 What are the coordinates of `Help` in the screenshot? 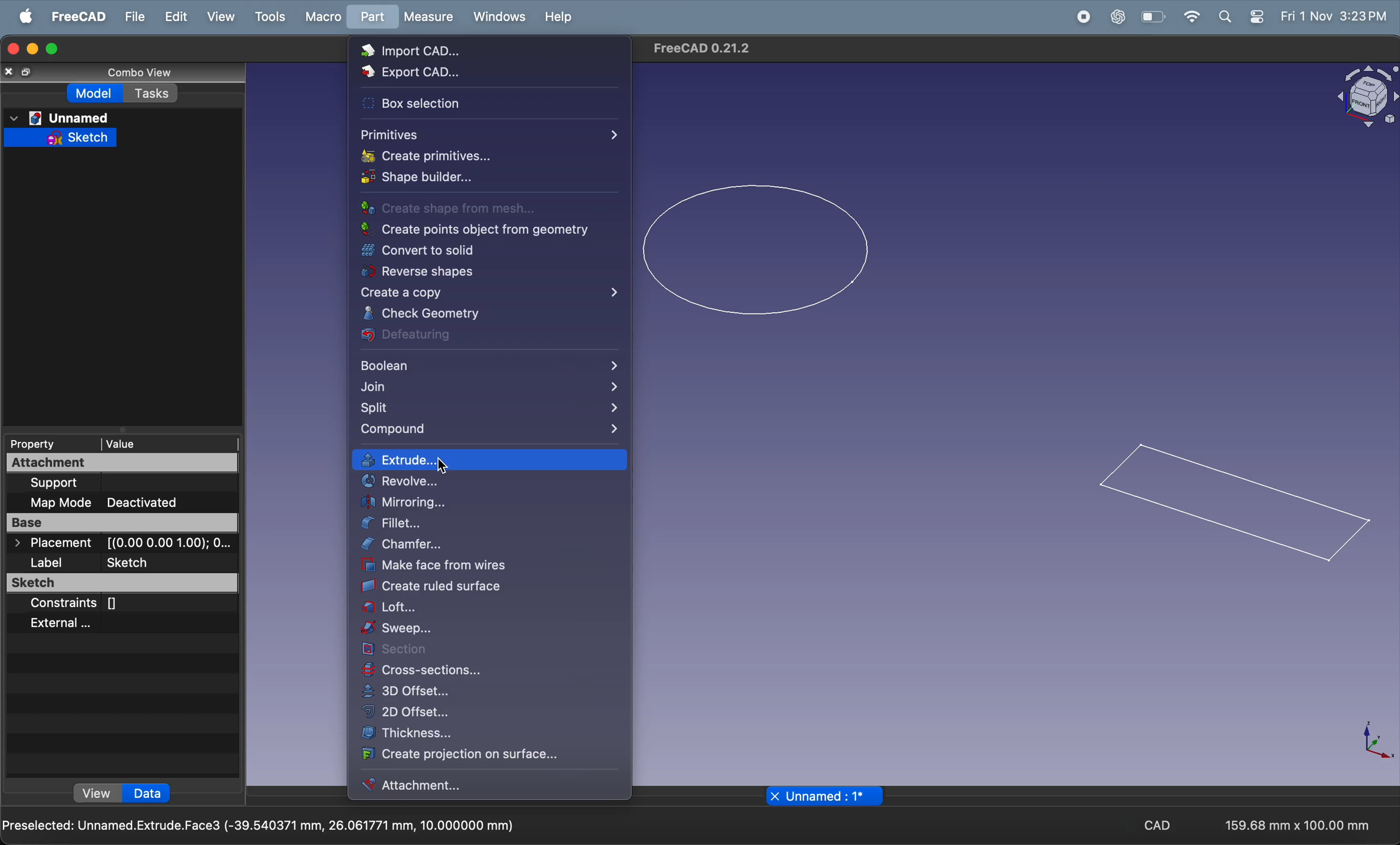 It's located at (561, 17).